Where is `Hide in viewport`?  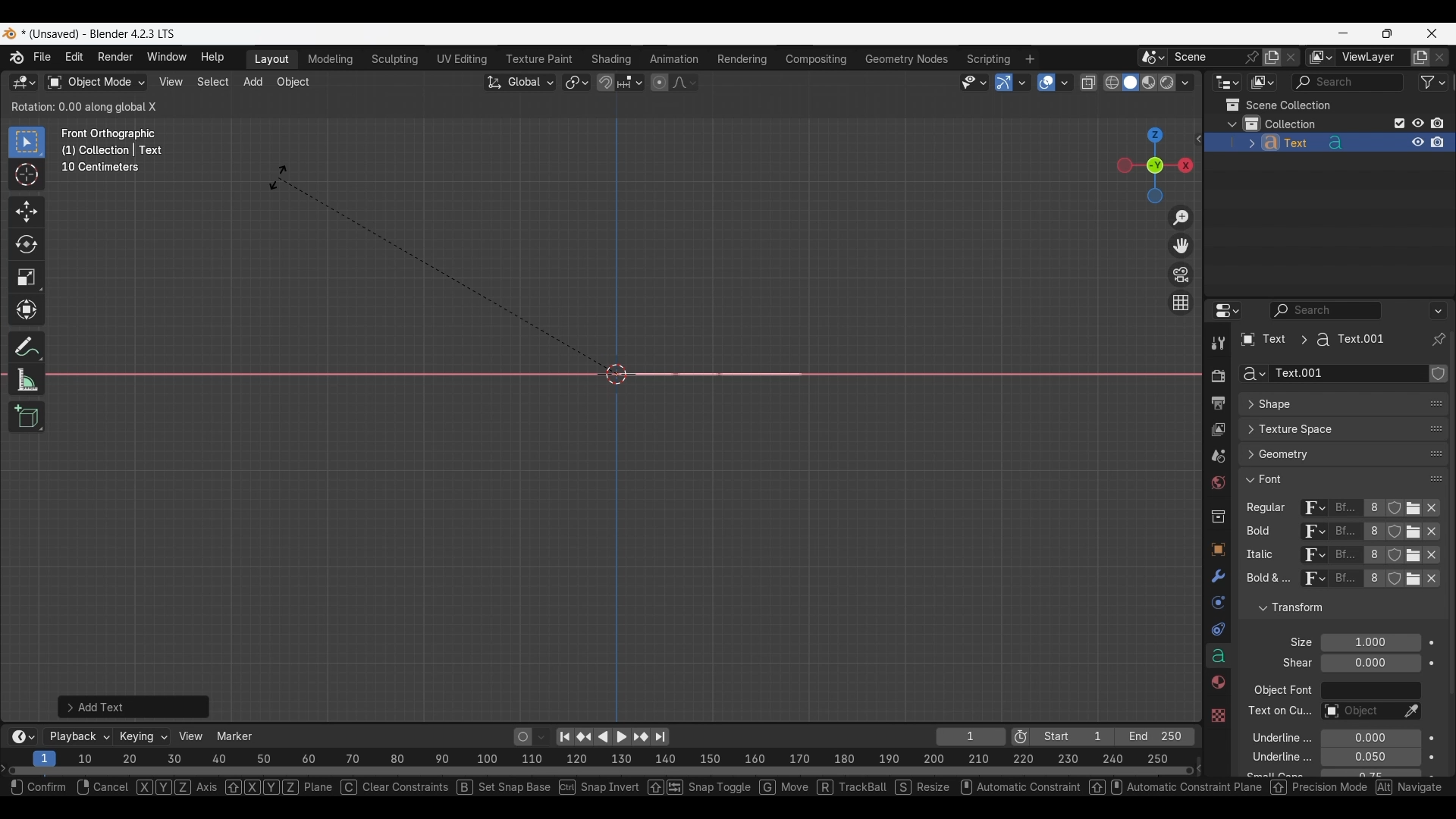
Hide in viewport is located at coordinates (1417, 123).